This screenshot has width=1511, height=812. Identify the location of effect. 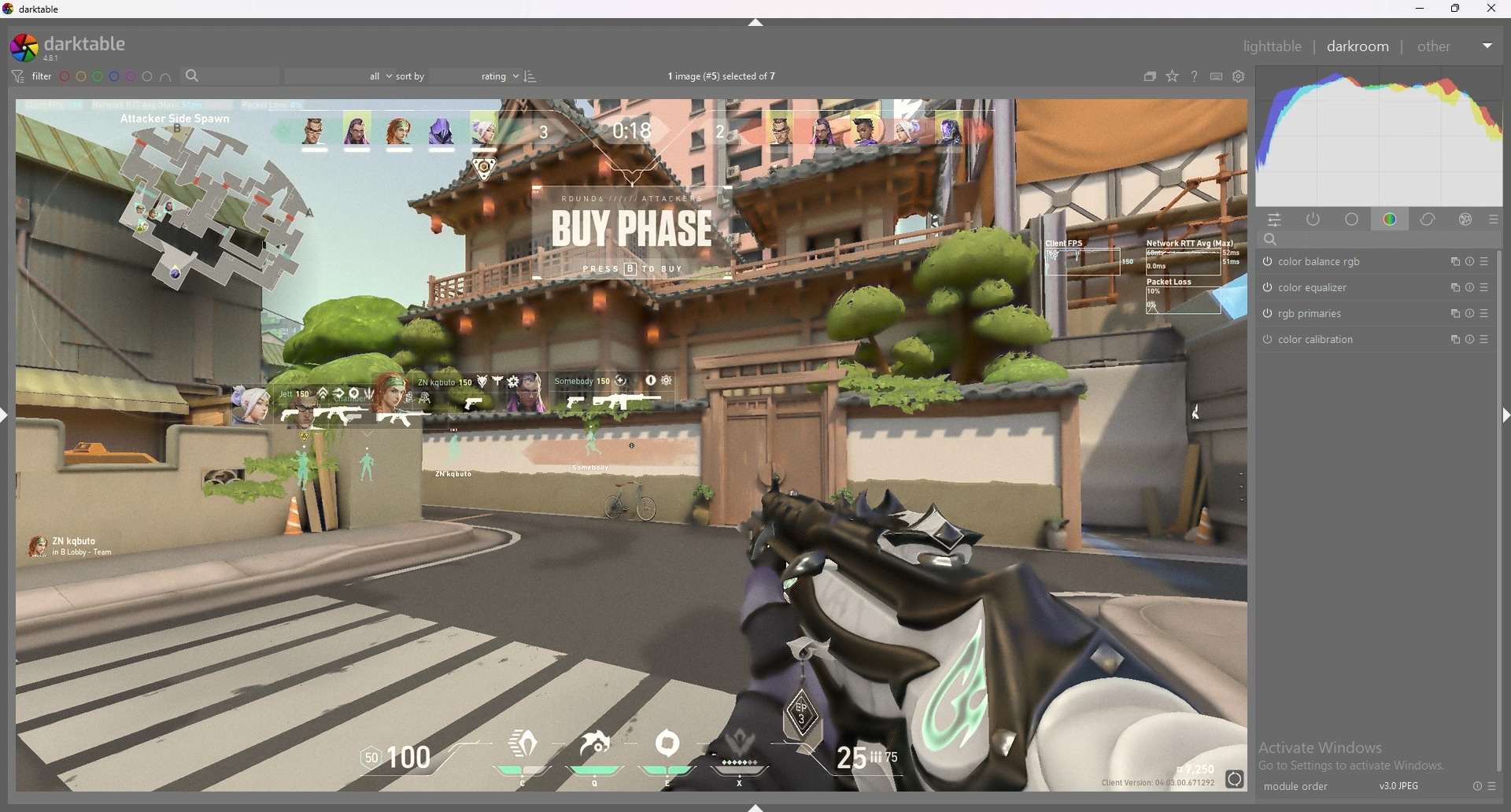
(1465, 220).